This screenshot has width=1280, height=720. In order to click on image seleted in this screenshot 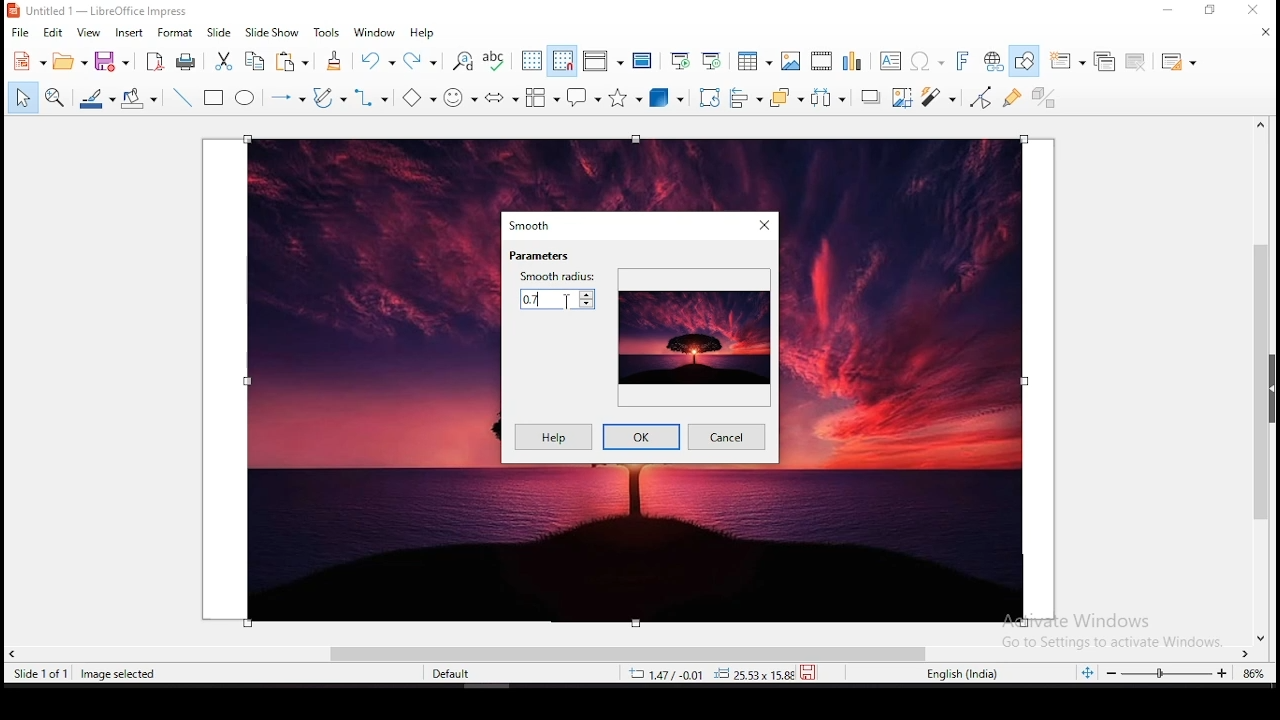, I will do `click(119, 675)`.